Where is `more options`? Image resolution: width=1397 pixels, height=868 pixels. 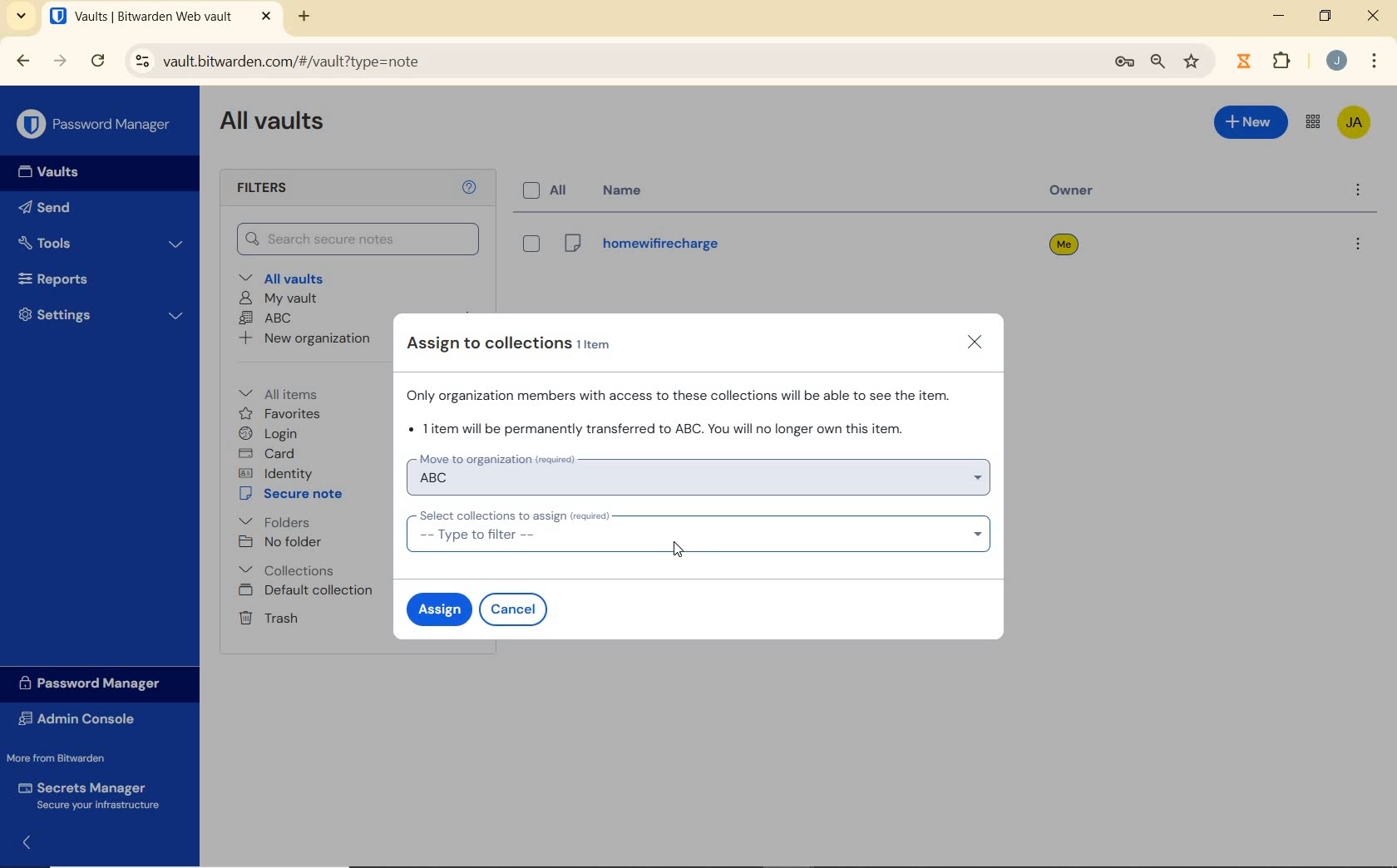 more options is located at coordinates (1356, 191).